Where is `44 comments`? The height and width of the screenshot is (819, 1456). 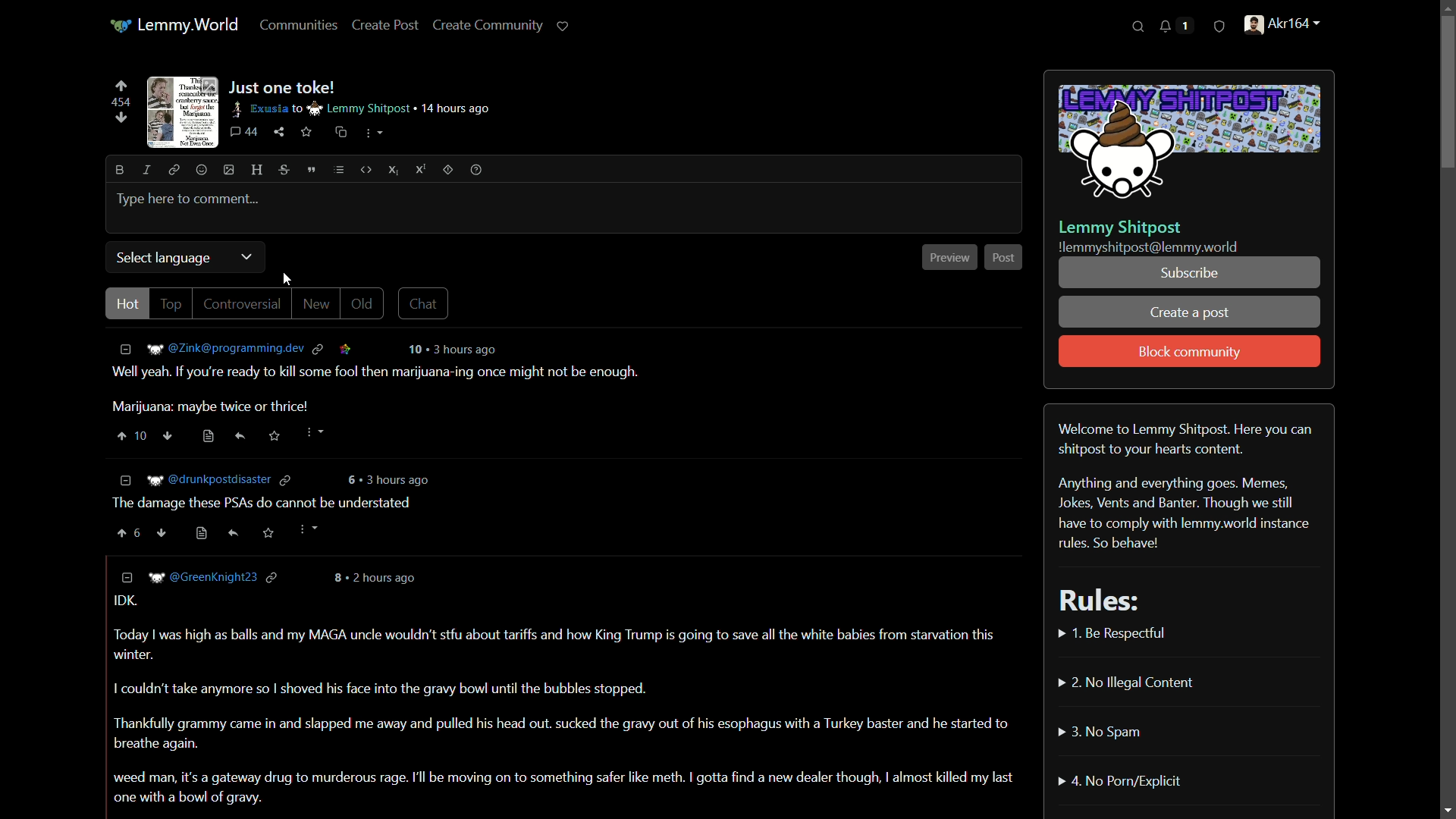
44 comments is located at coordinates (243, 131).